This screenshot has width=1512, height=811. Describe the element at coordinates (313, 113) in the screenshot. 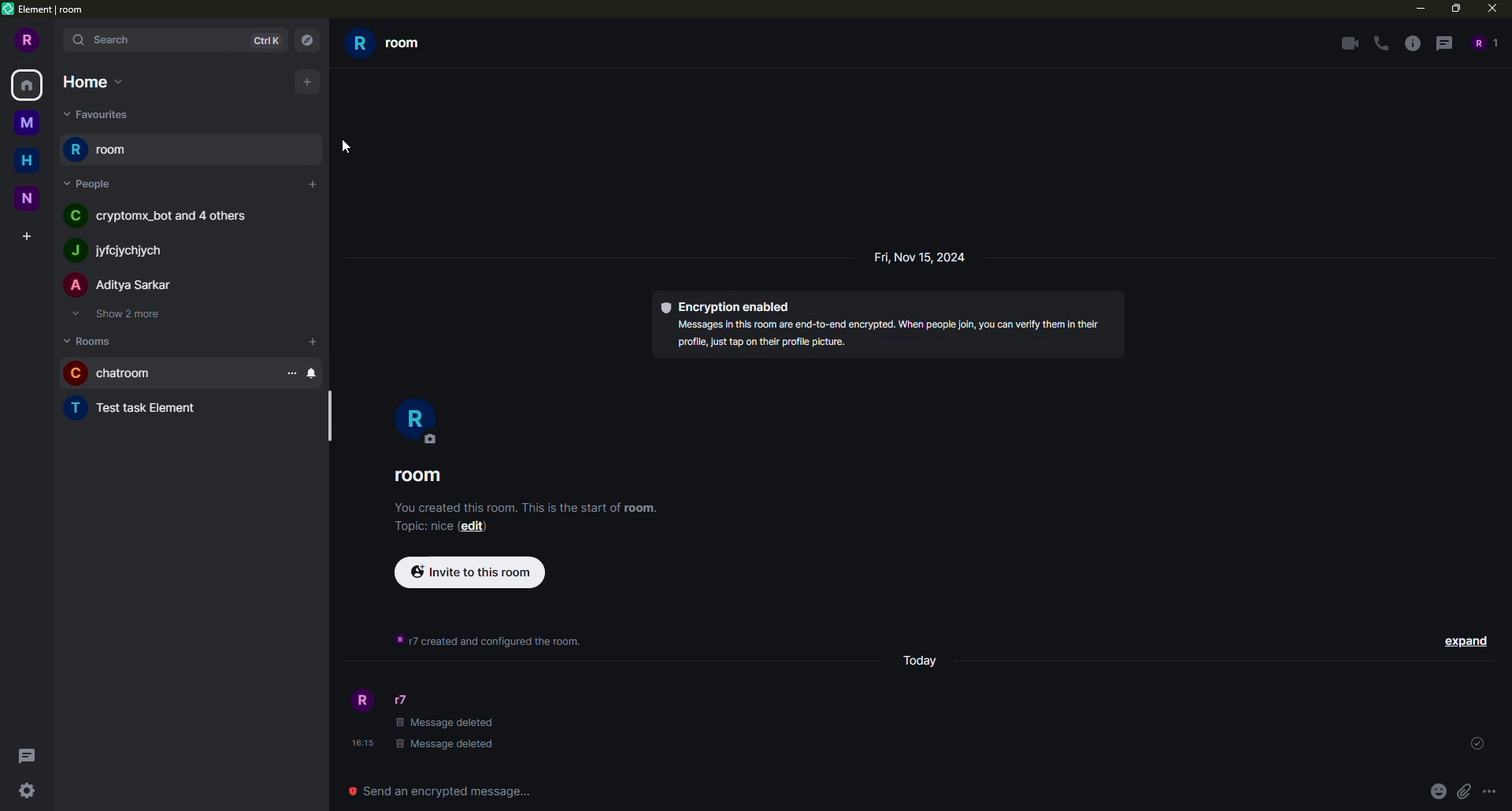

I see `add` at that location.